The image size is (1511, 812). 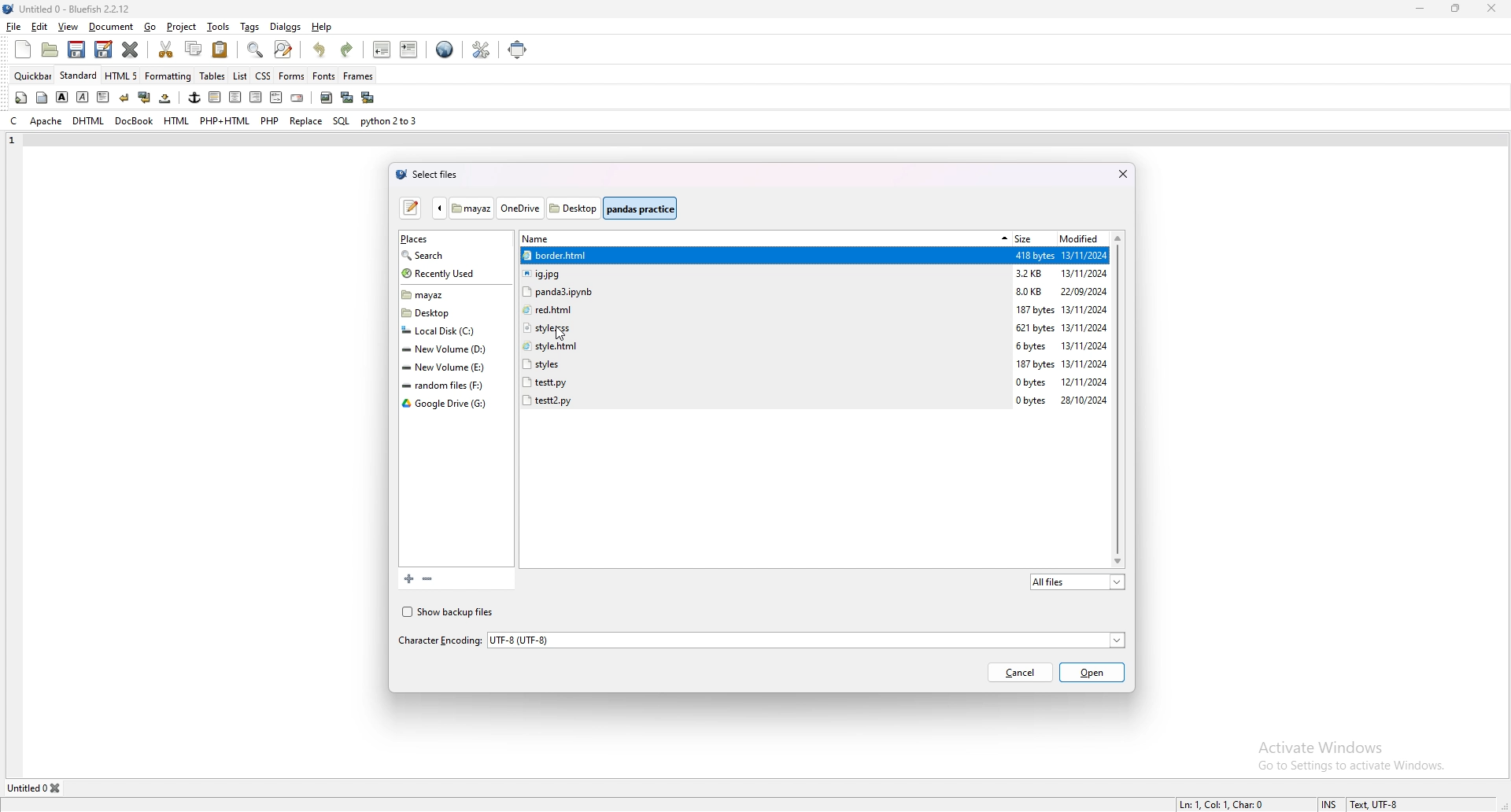 I want to click on document, so click(x=112, y=27).